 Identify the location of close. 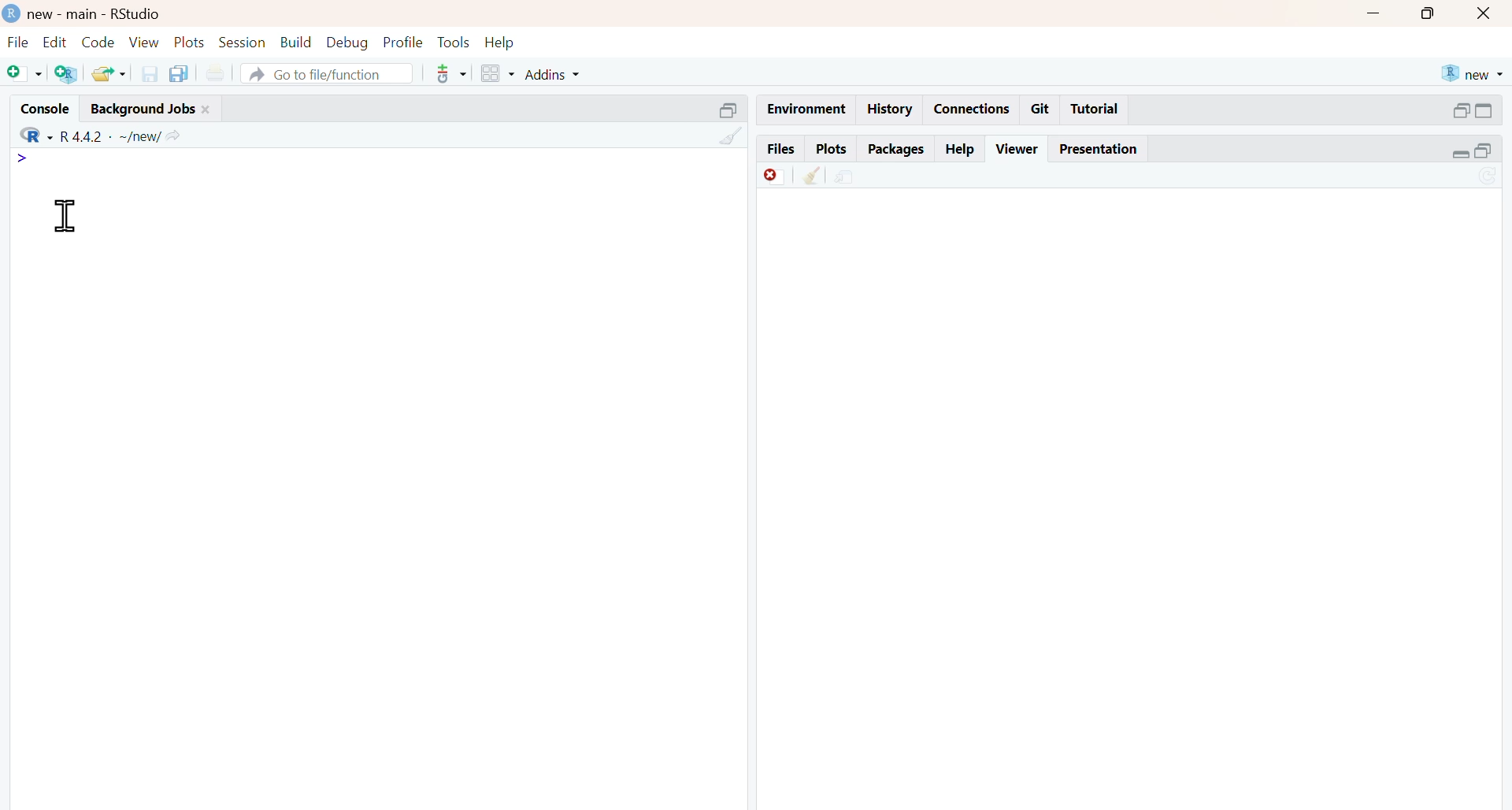
(206, 110).